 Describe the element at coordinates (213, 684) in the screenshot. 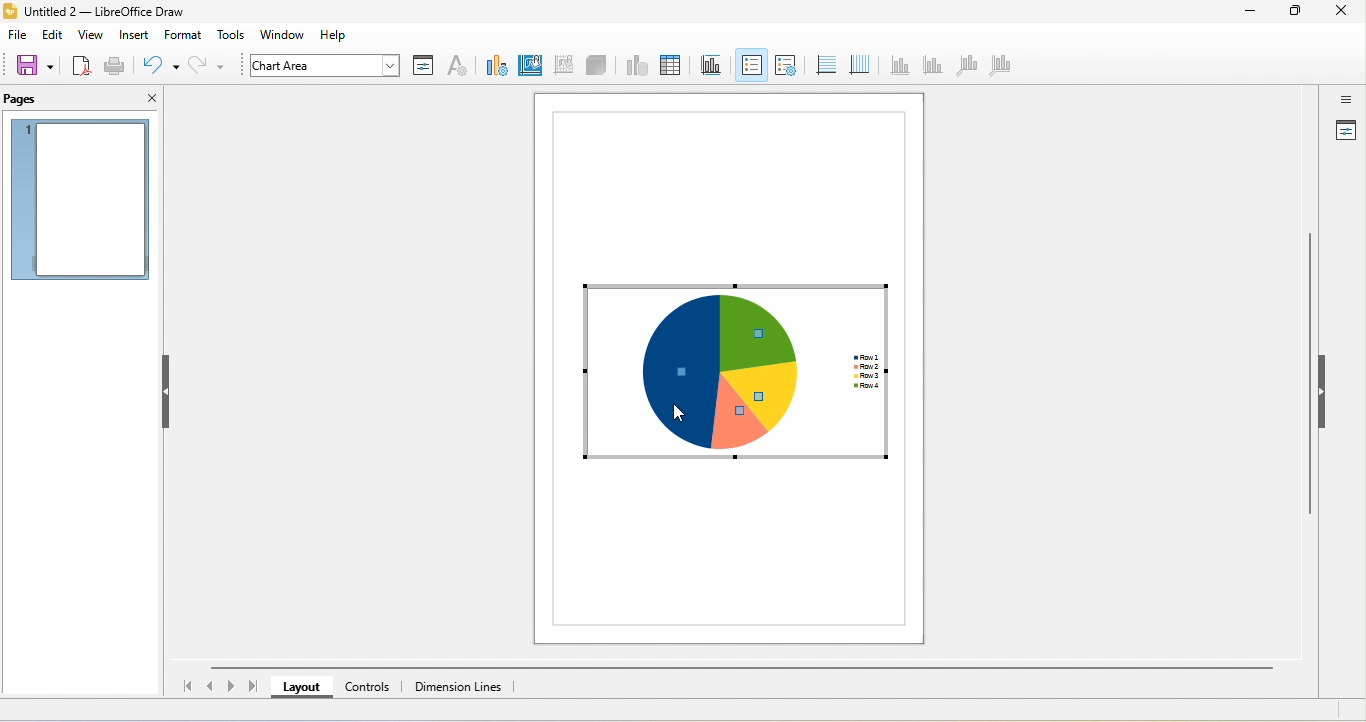

I see `previous` at that location.